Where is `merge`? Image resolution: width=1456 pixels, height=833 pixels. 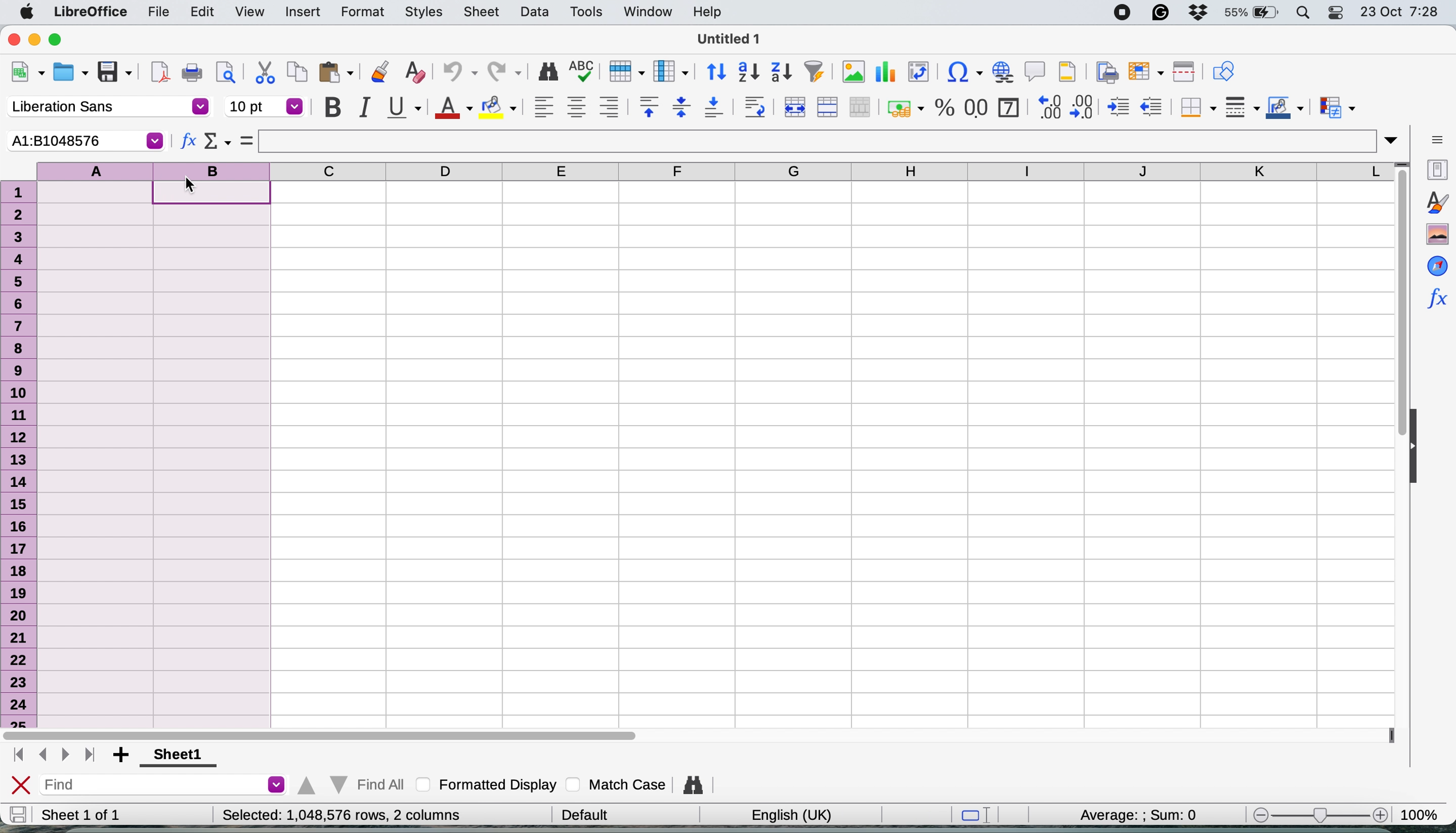 merge is located at coordinates (827, 107).